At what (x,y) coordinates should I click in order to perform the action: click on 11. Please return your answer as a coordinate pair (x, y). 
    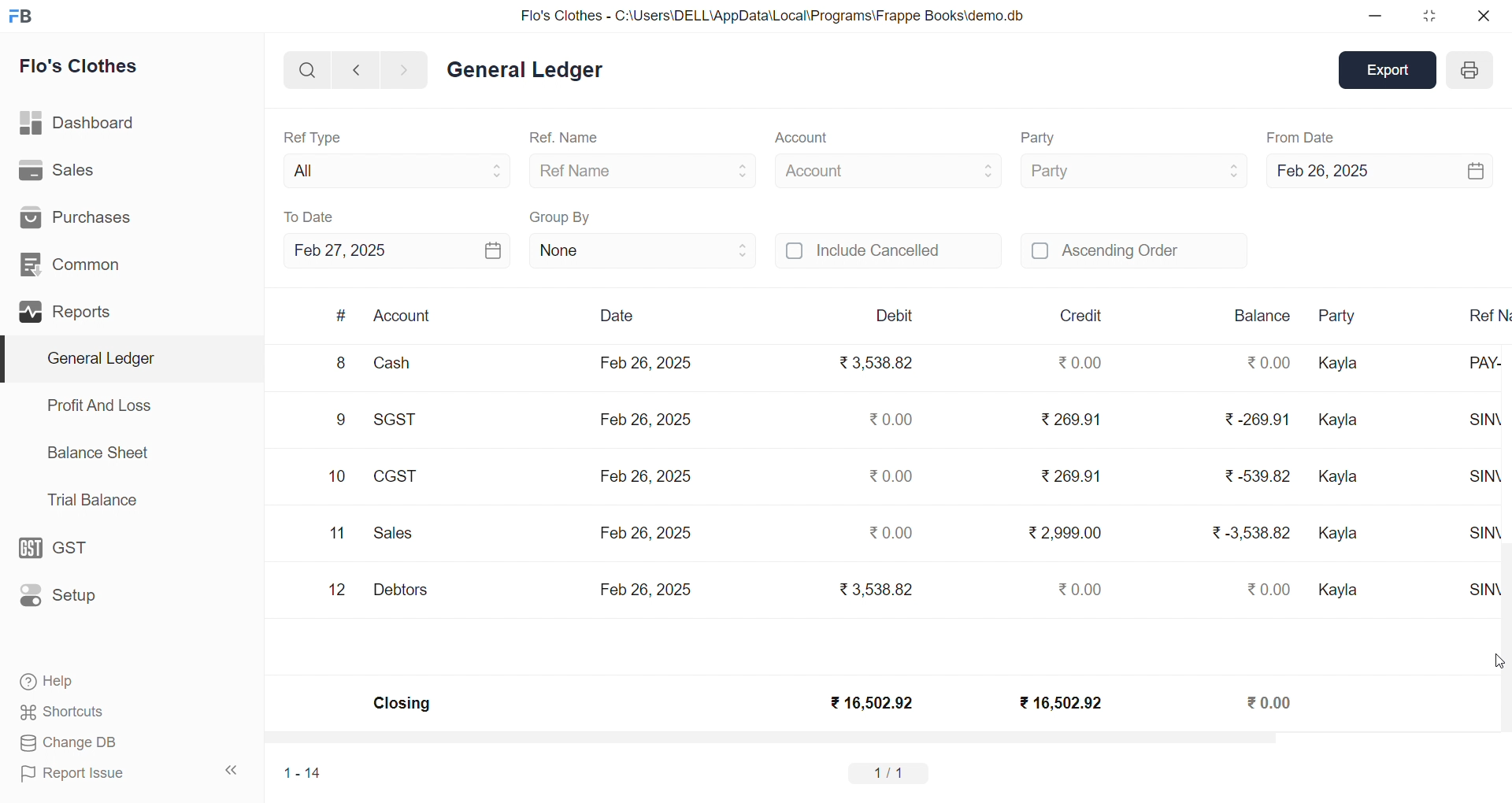
    Looking at the image, I should click on (337, 534).